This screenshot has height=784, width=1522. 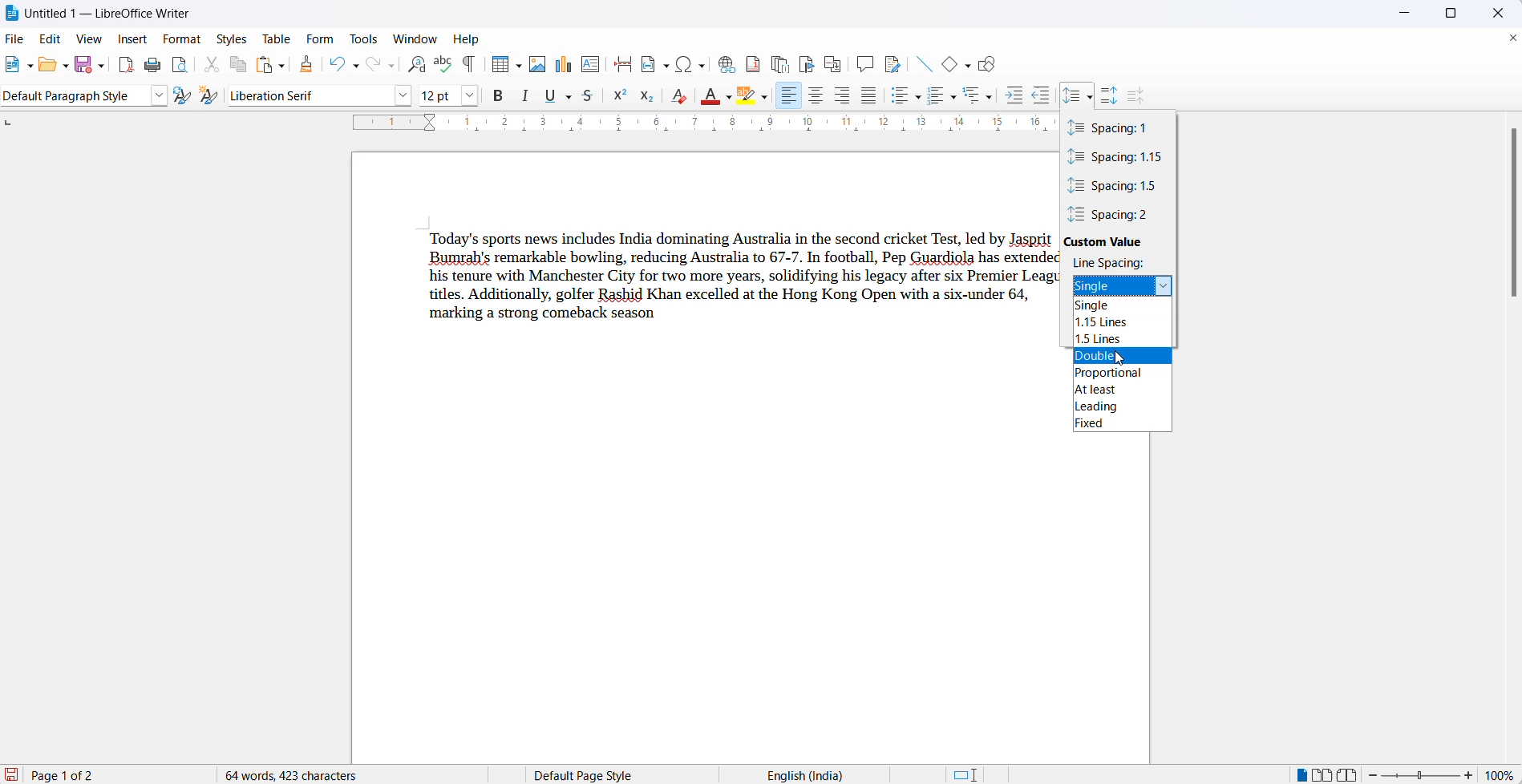 What do you see at coordinates (981, 95) in the screenshot?
I see `select outline format` at bounding box center [981, 95].